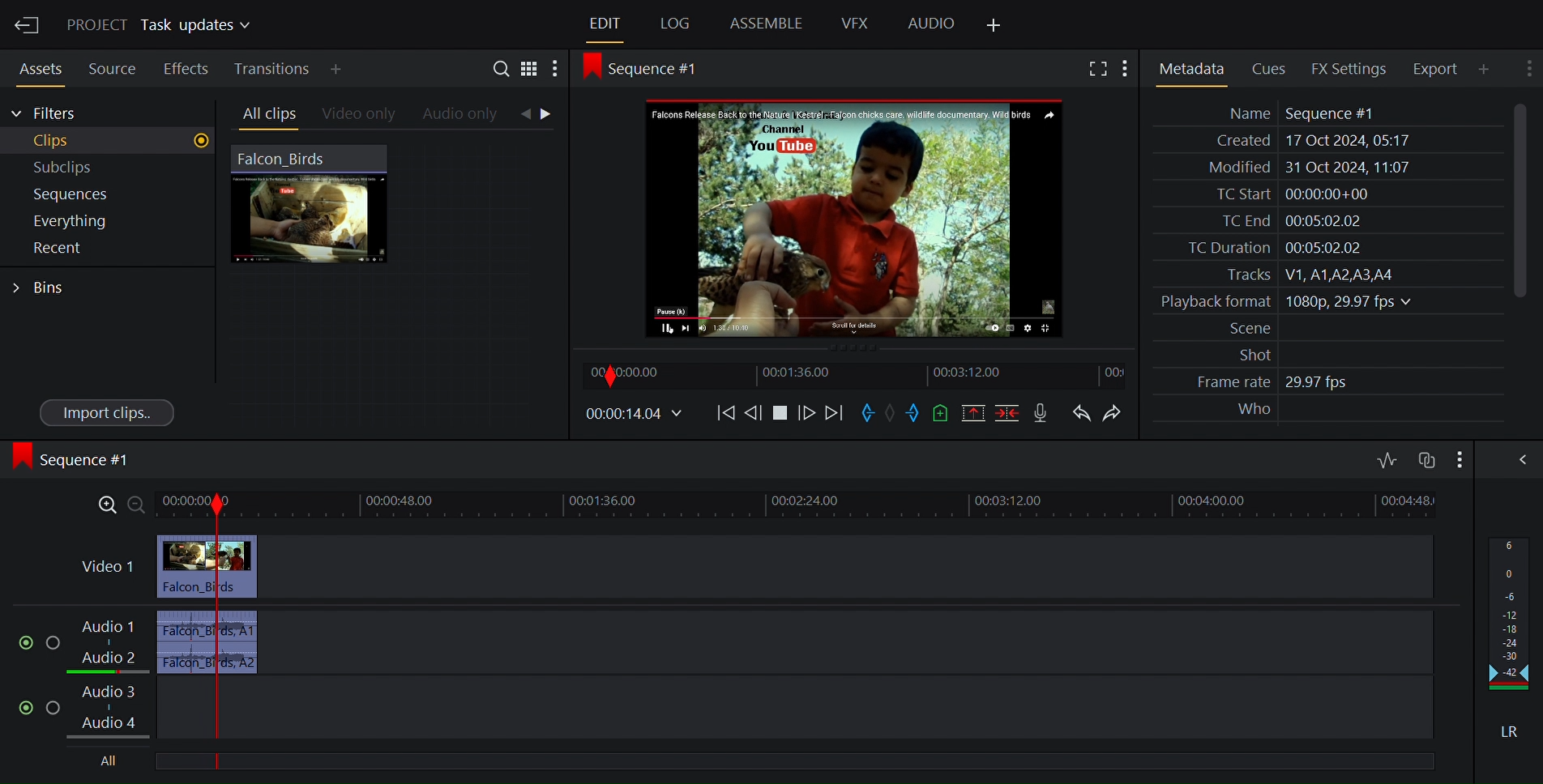  What do you see at coordinates (1515, 458) in the screenshot?
I see `Show/Hide Full audio mix` at bounding box center [1515, 458].